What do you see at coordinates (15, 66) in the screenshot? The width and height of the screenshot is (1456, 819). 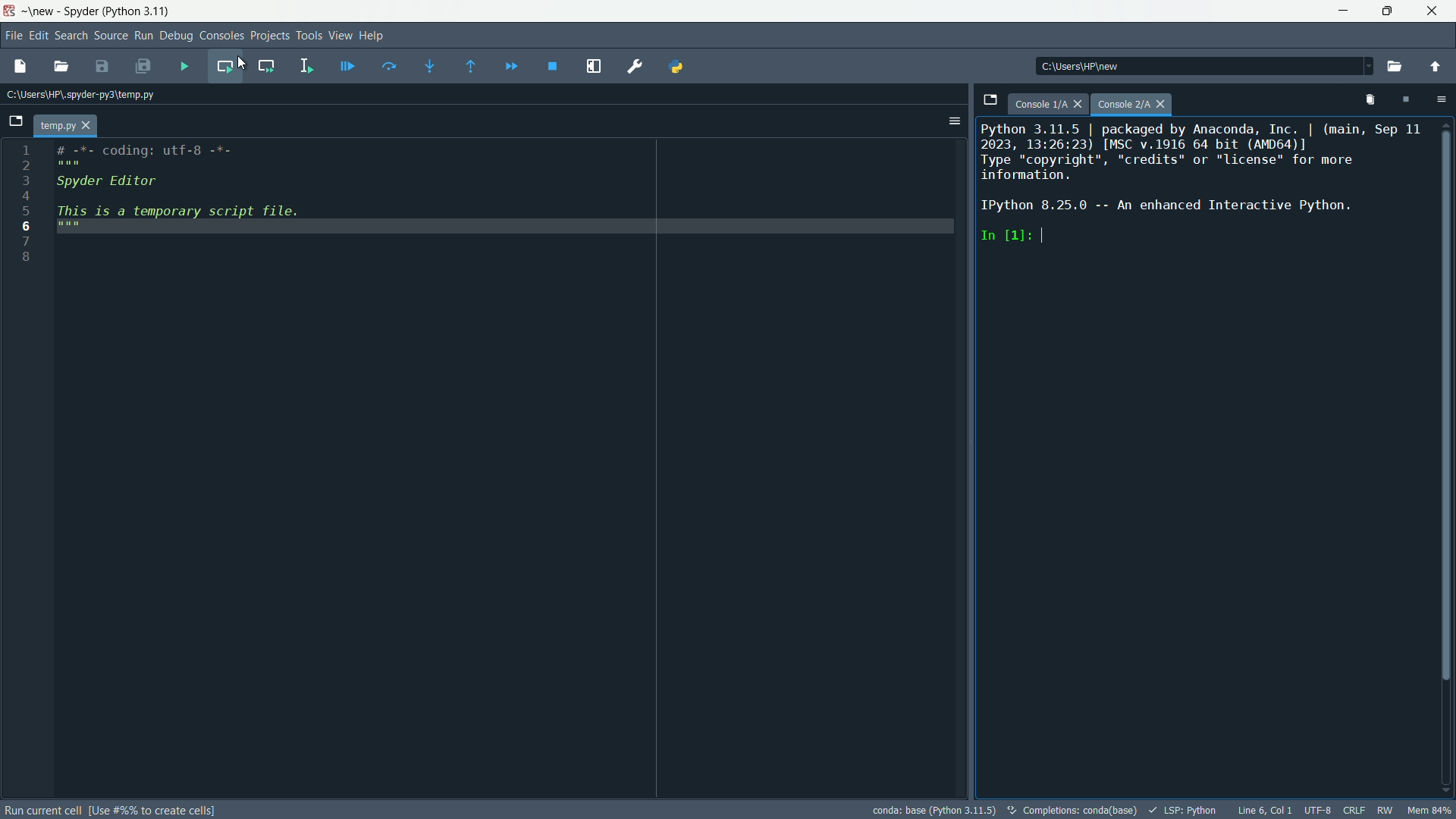 I see `new file` at bounding box center [15, 66].